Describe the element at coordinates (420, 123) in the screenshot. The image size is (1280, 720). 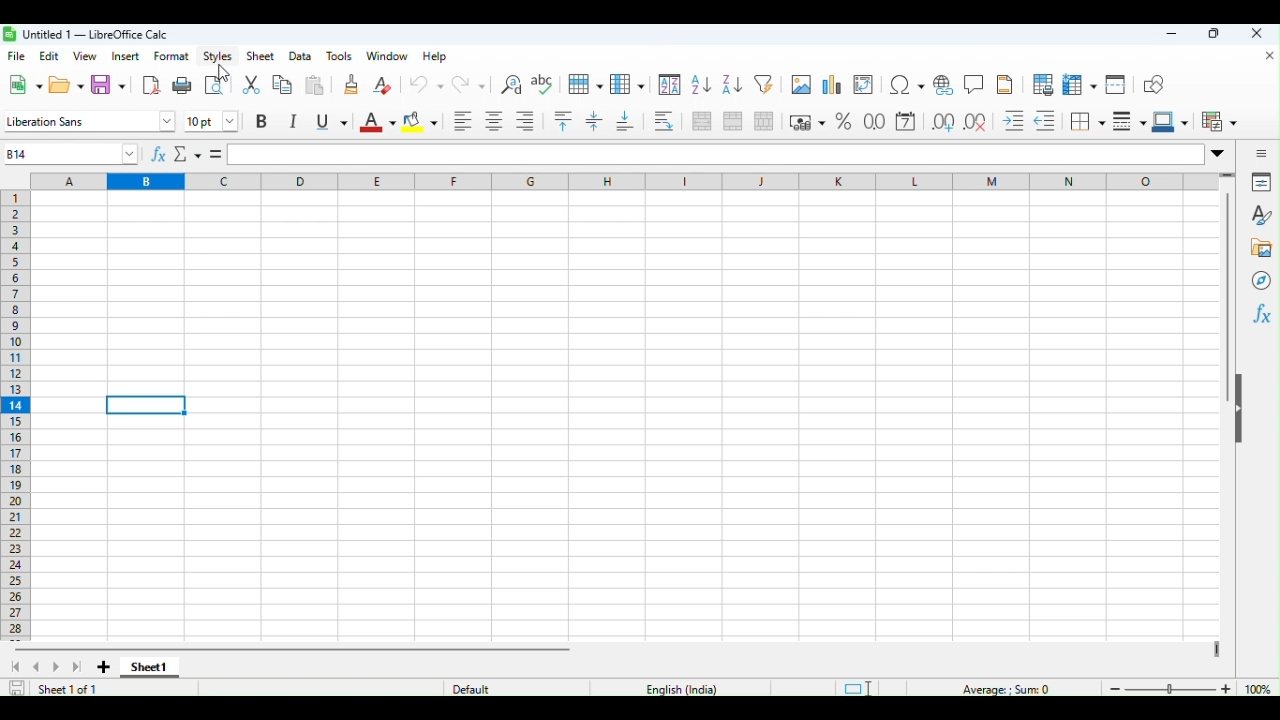
I see `fill colour` at that location.